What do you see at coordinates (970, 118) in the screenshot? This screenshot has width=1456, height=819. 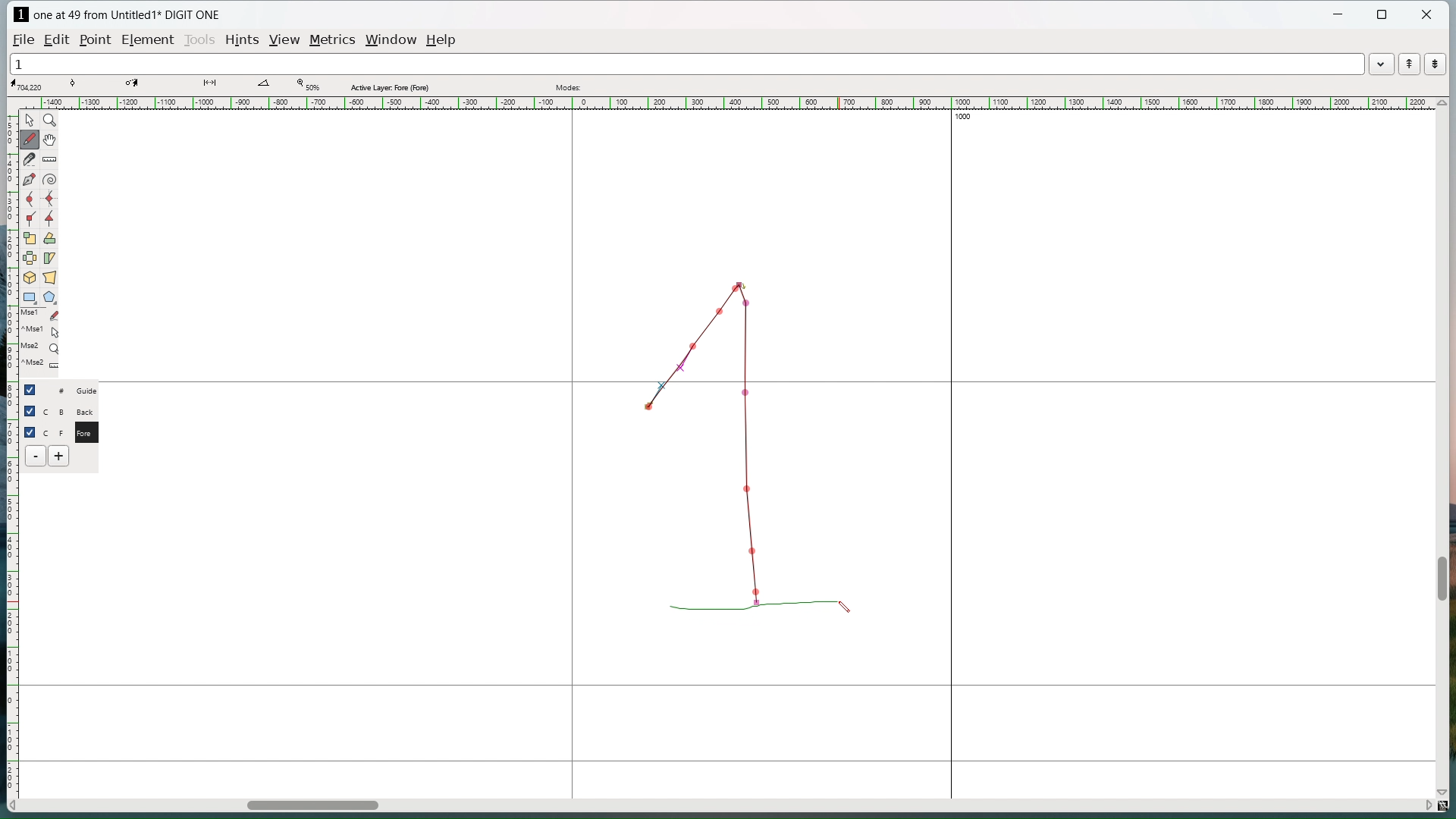 I see `1000` at bounding box center [970, 118].